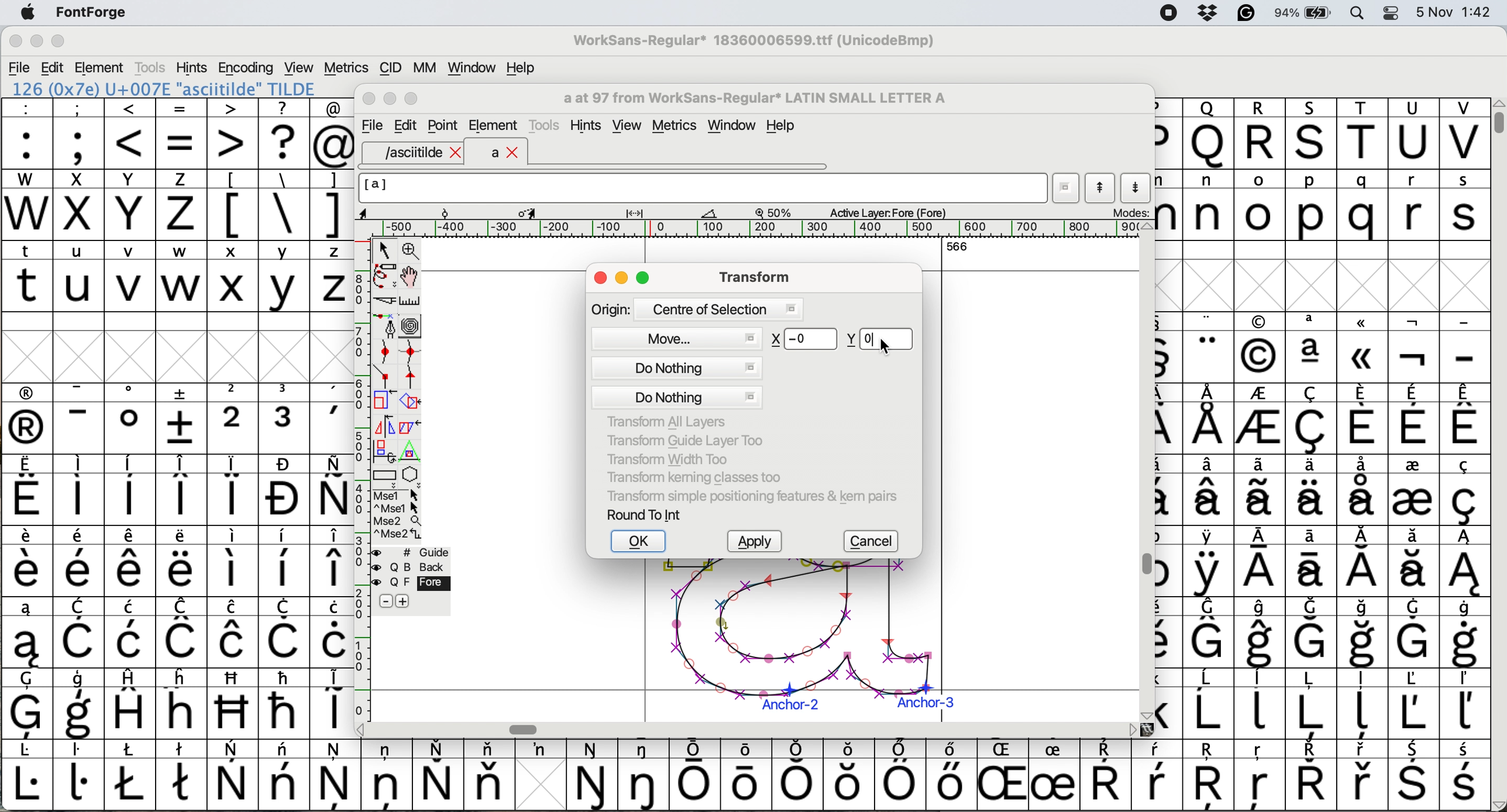 Image resolution: width=1507 pixels, height=812 pixels. Describe the element at coordinates (361, 466) in the screenshot. I see `vertical scale` at that location.